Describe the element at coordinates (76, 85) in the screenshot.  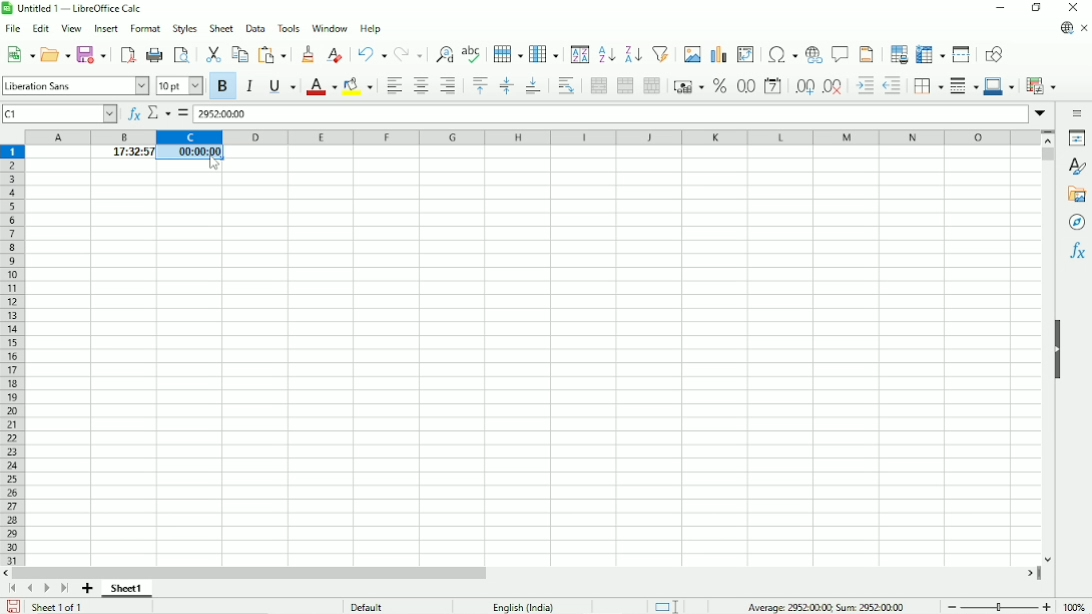
I see `Font style` at that location.